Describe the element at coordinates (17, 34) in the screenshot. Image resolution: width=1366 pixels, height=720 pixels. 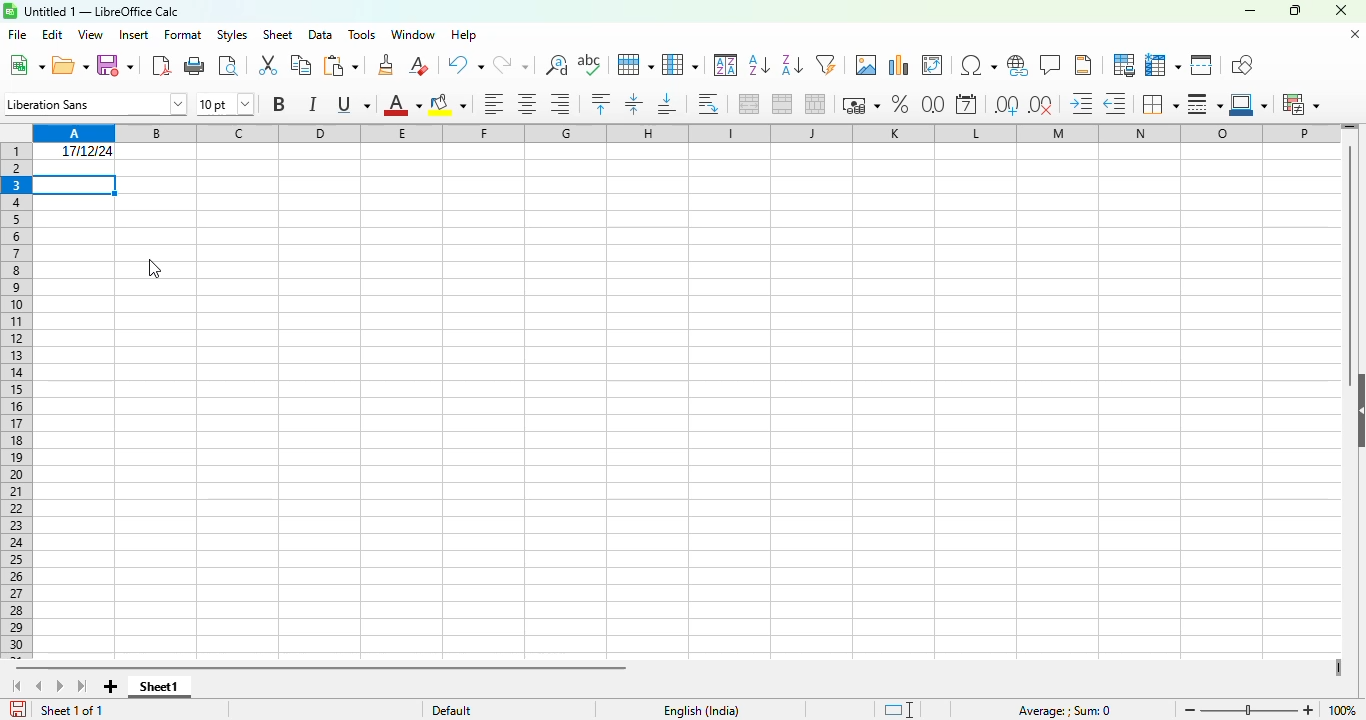
I see `file` at that location.